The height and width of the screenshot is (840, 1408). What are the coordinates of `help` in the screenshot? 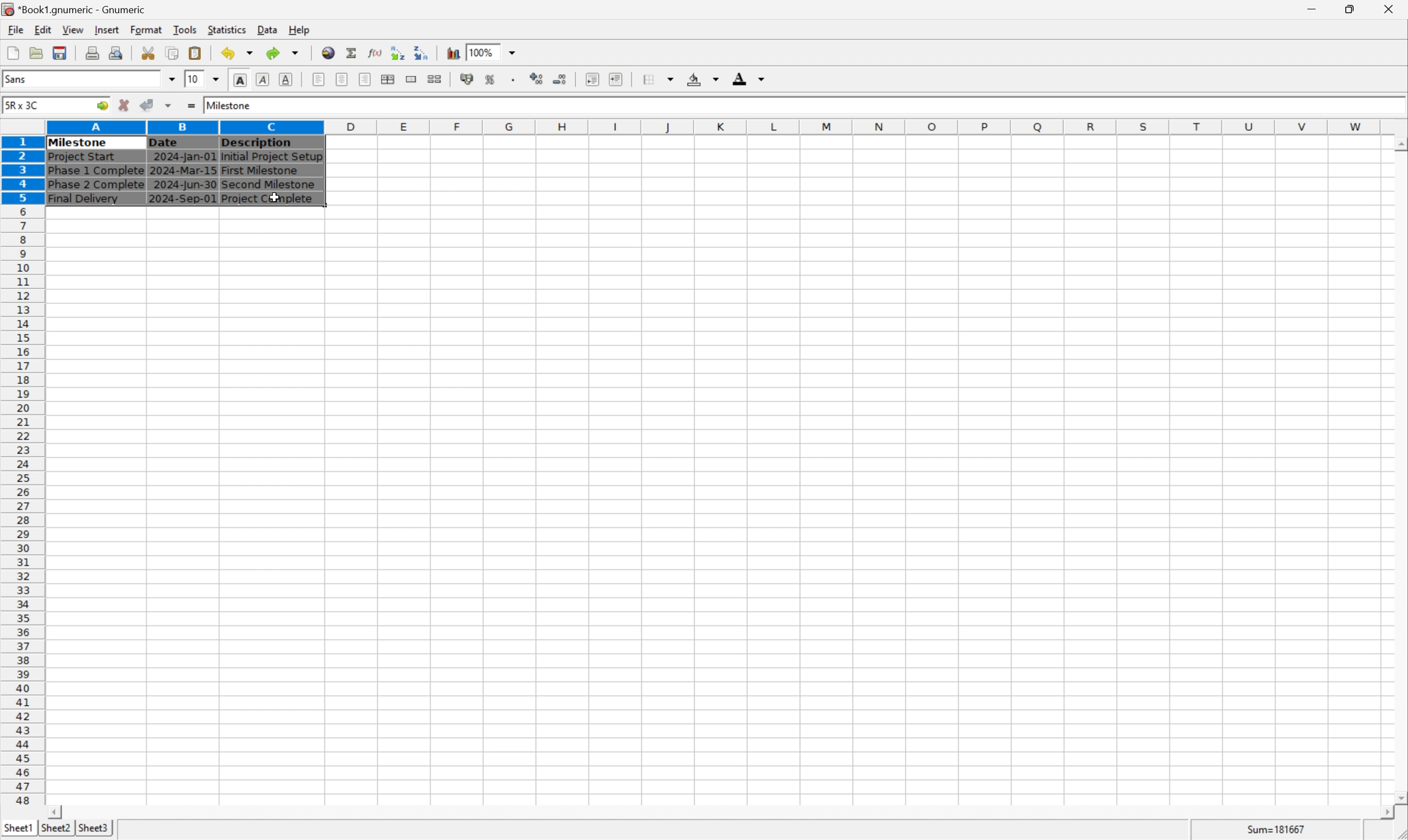 It's located at (299, 28).